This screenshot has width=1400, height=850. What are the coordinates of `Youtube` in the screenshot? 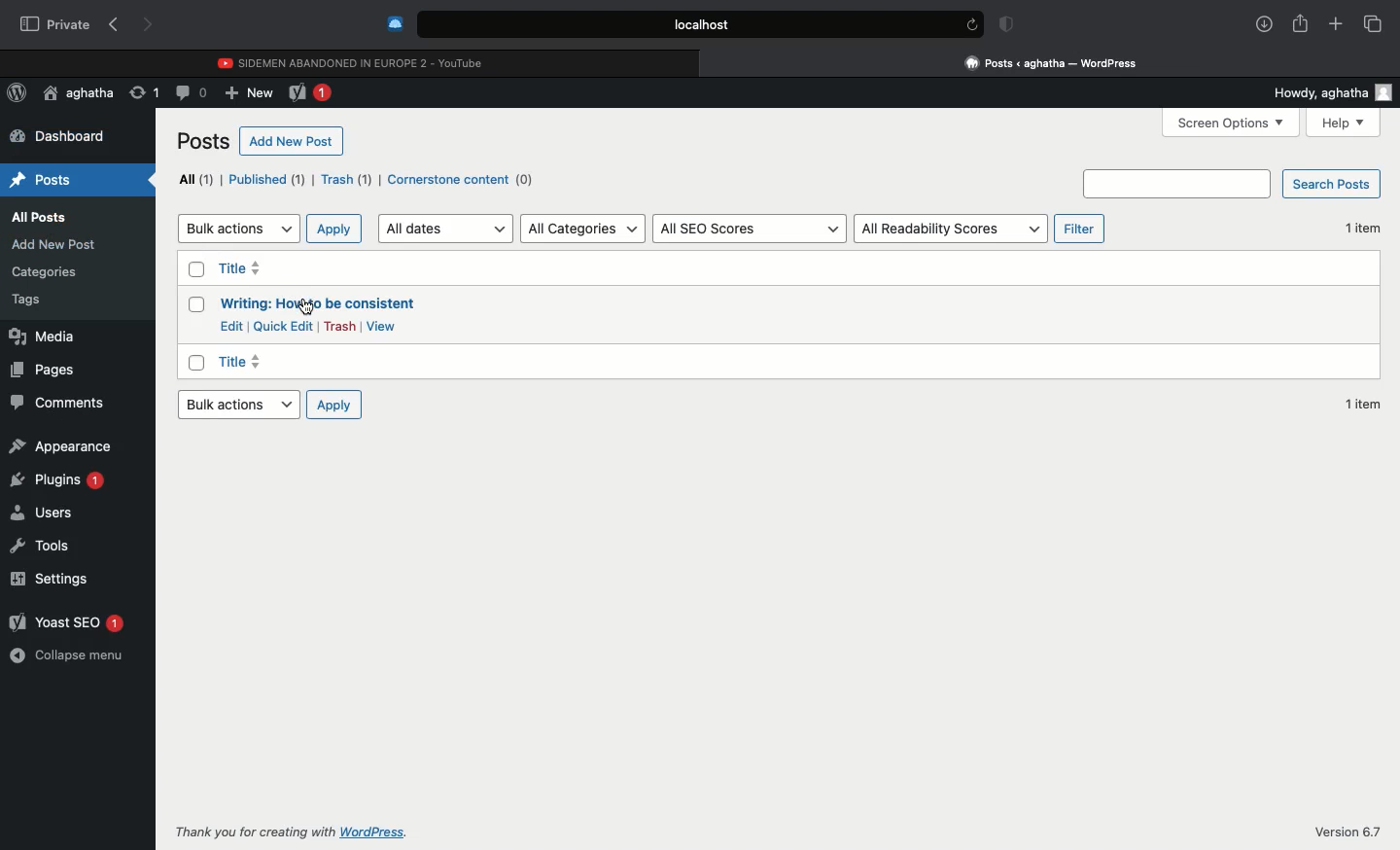 It's located at (353, 60).